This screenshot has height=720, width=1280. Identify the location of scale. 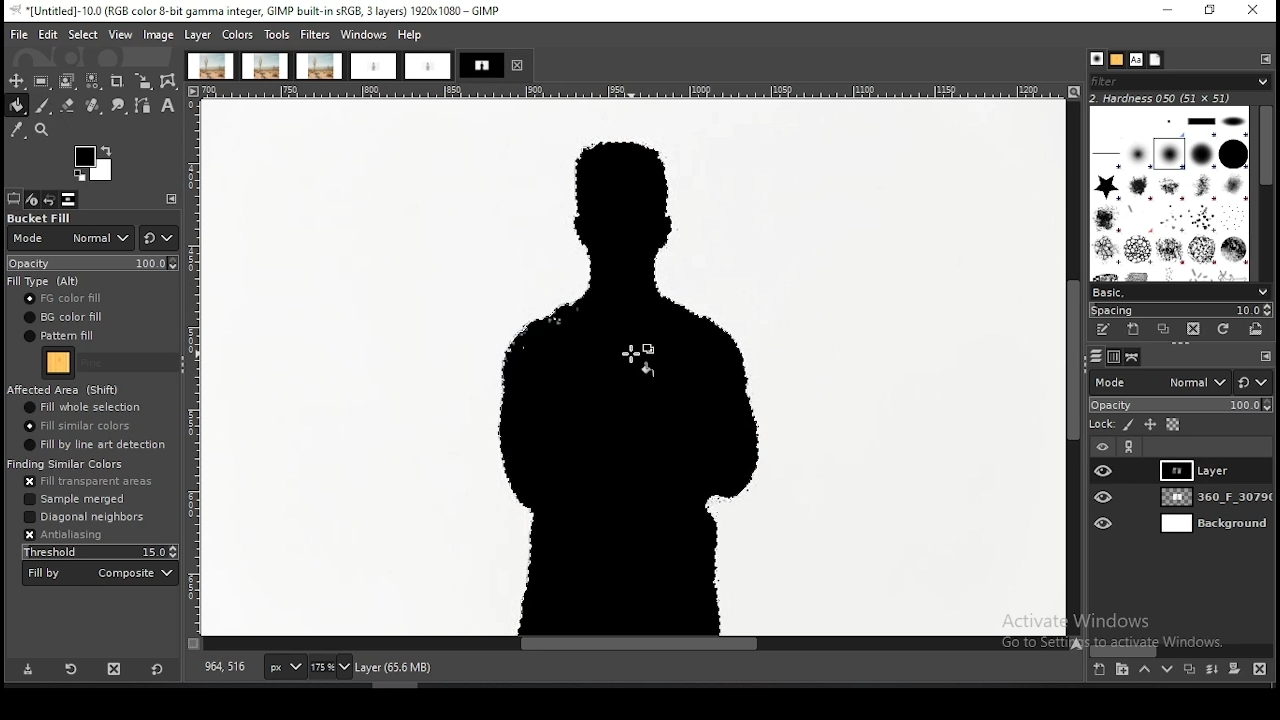
(194, 368).